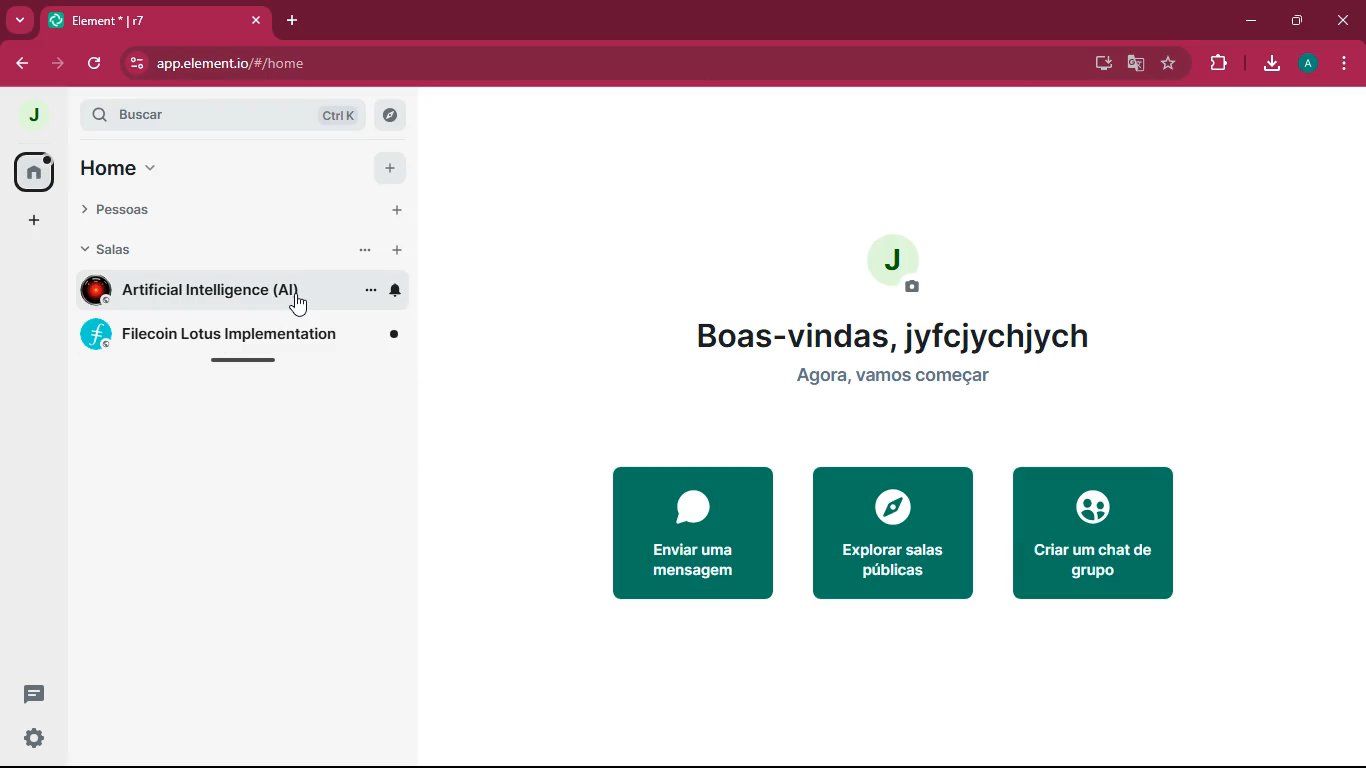  Describe the element at coordinates (892, 537) in the screenshot. I see `explorar salas publicas` at that location.